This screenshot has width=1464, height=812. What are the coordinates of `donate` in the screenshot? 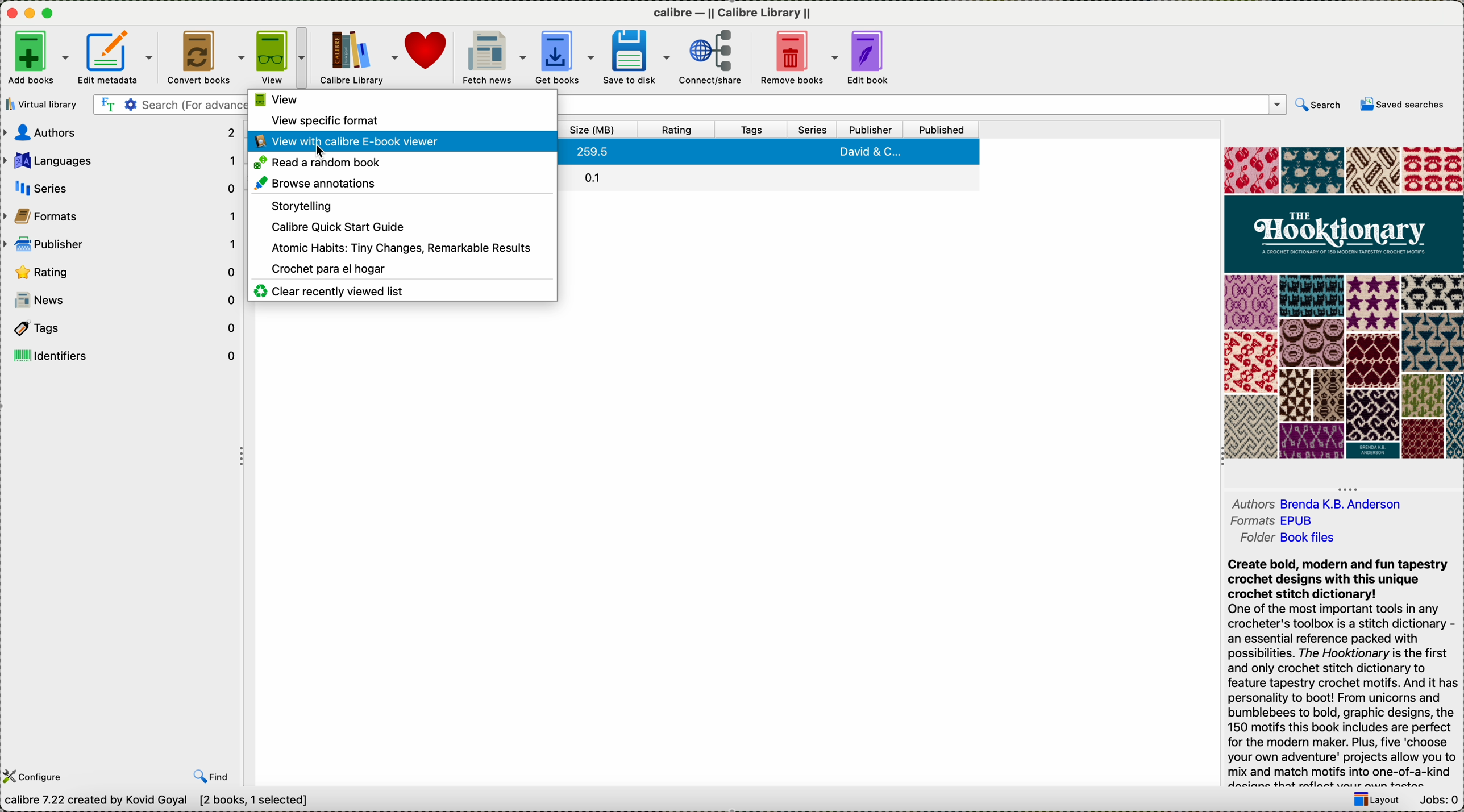 It's located at (428, 49).